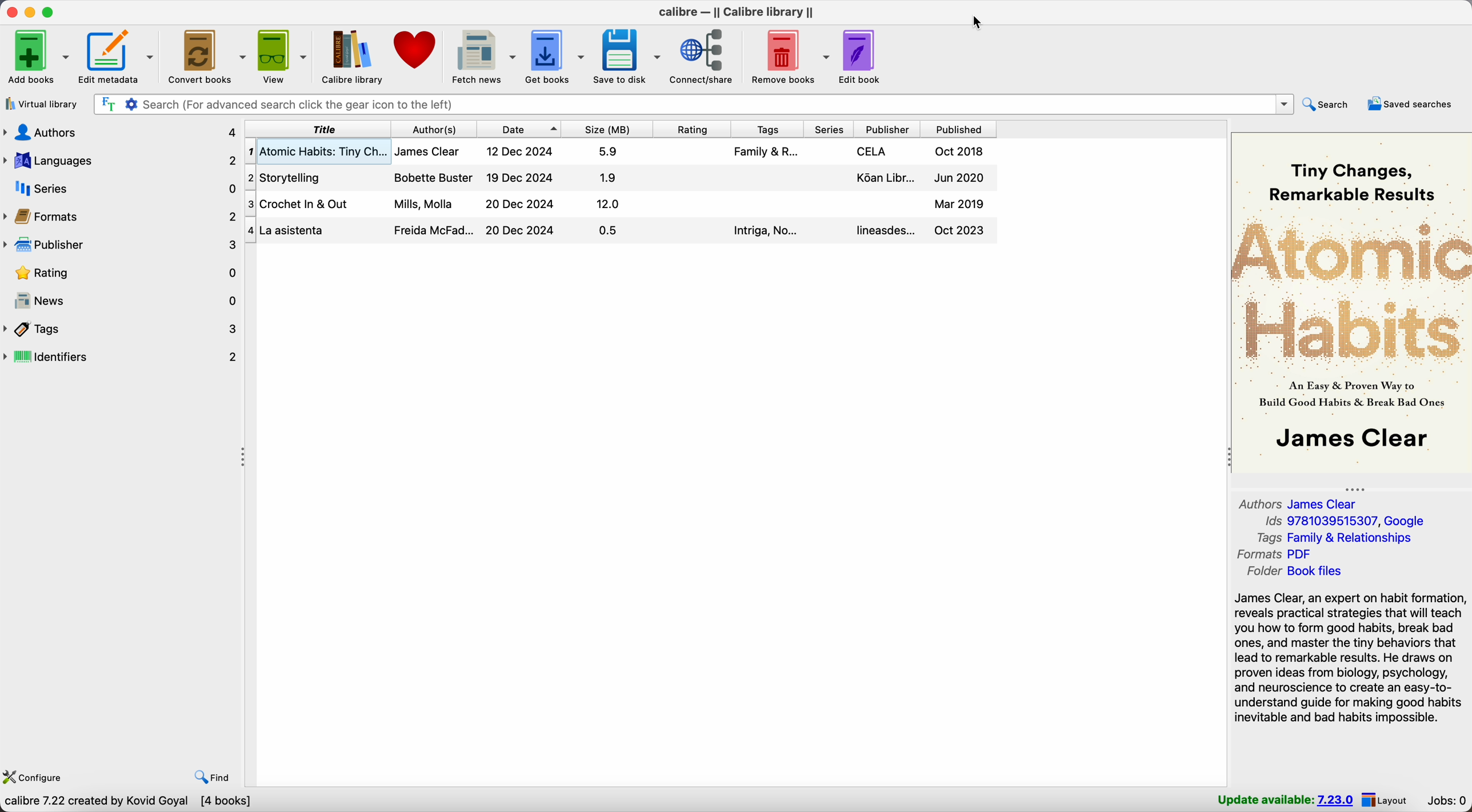 This screenshot has height=812, width=1472. I want to click on Storytelling book, so click(621, 178).